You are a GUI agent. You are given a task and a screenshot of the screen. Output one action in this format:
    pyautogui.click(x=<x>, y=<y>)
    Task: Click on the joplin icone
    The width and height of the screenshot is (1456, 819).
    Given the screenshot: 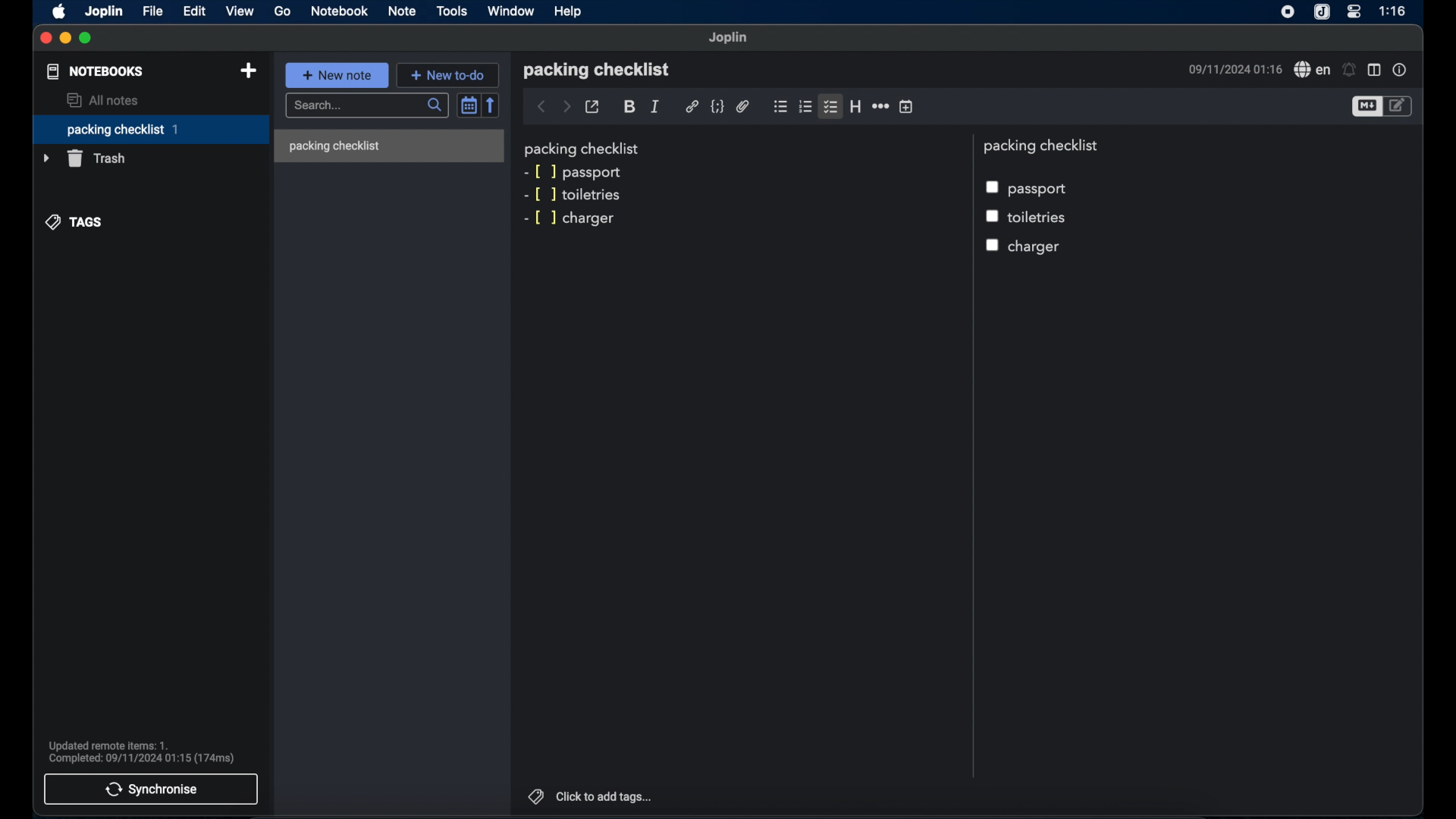 What is the action you would take?
    pyautogui.click(x=1322, y=12)
    